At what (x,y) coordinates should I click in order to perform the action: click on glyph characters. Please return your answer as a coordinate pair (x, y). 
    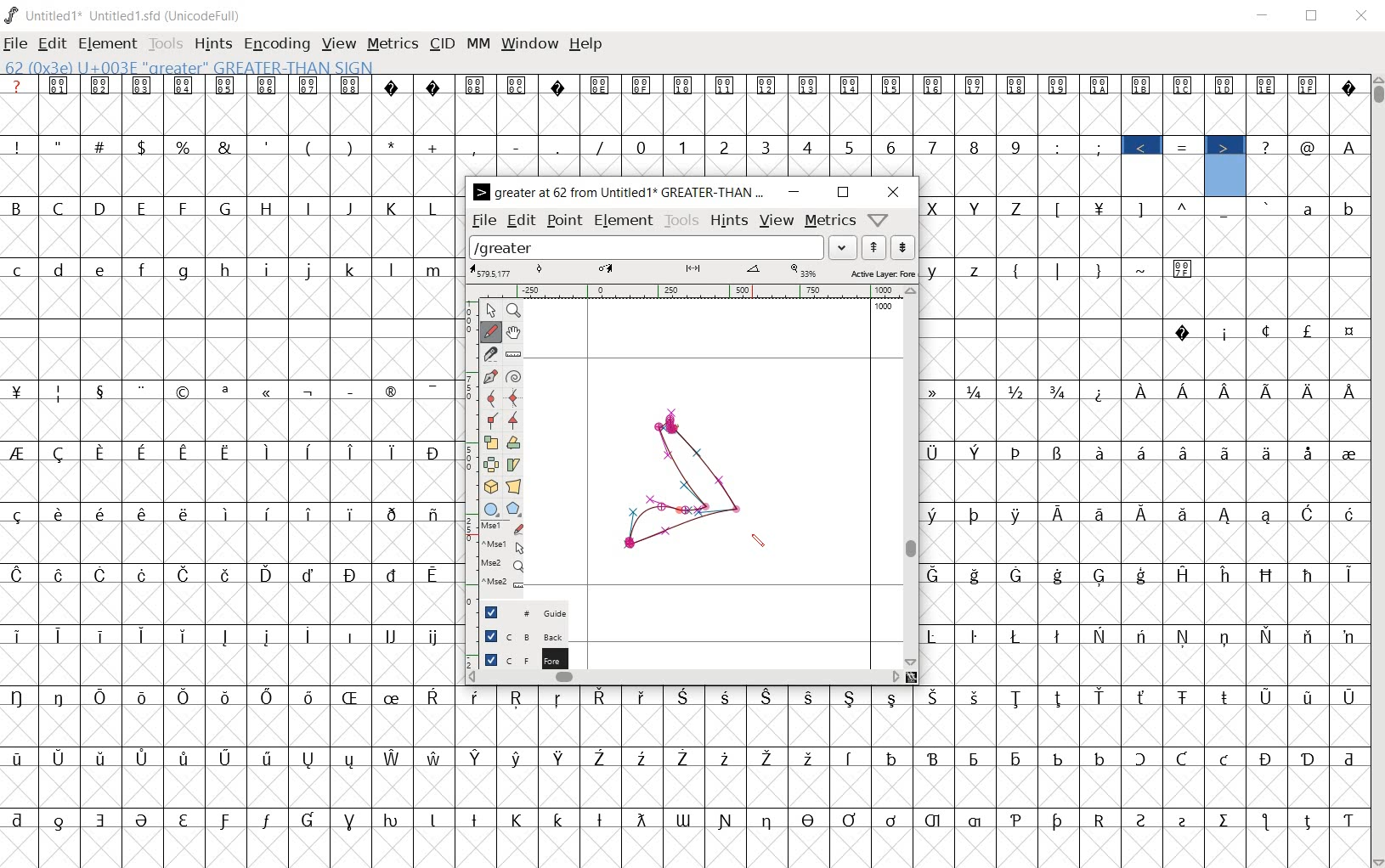
    Looking at the image, I should click on (1145, 442).